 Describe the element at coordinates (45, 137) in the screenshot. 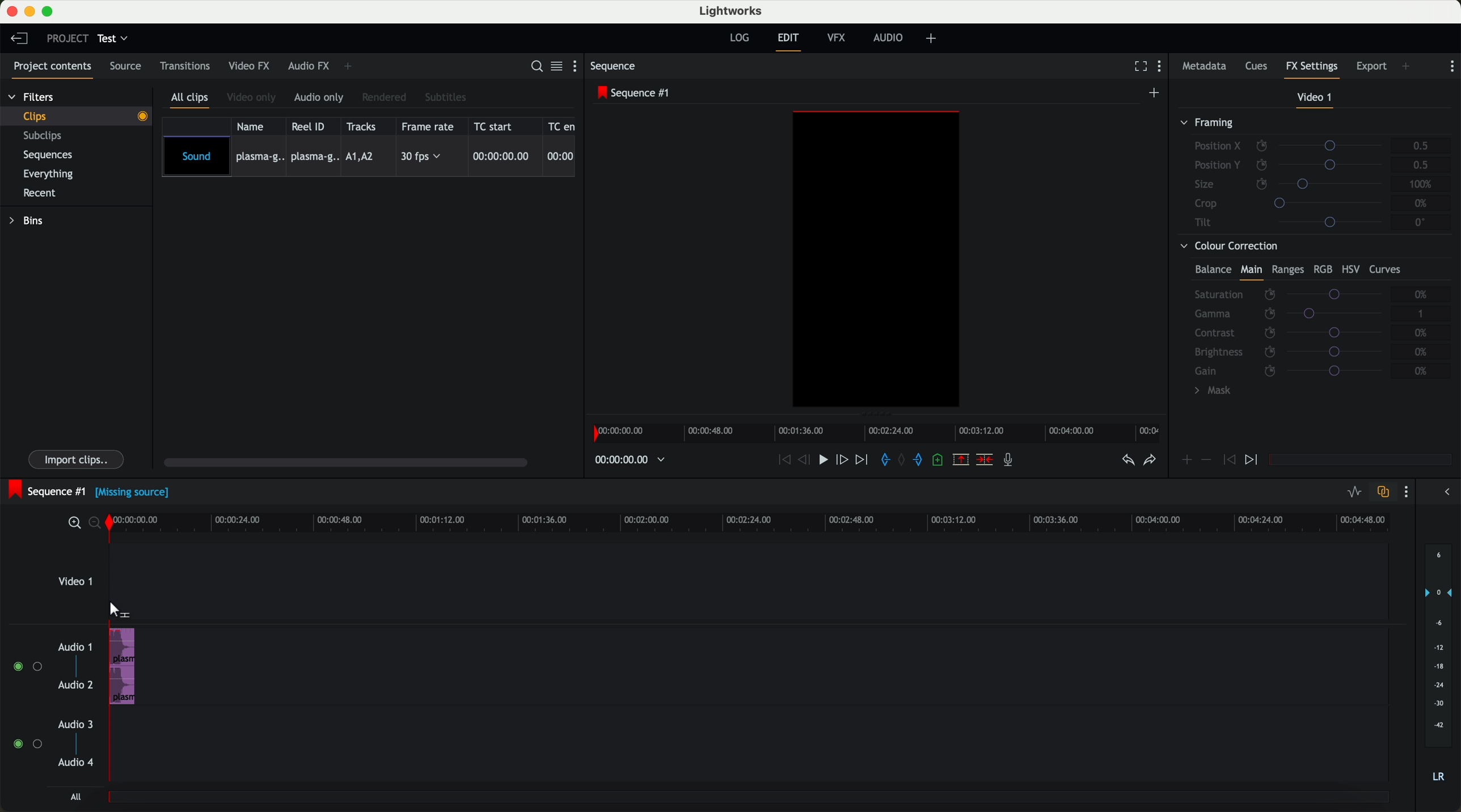

I see `subclips` at that location.